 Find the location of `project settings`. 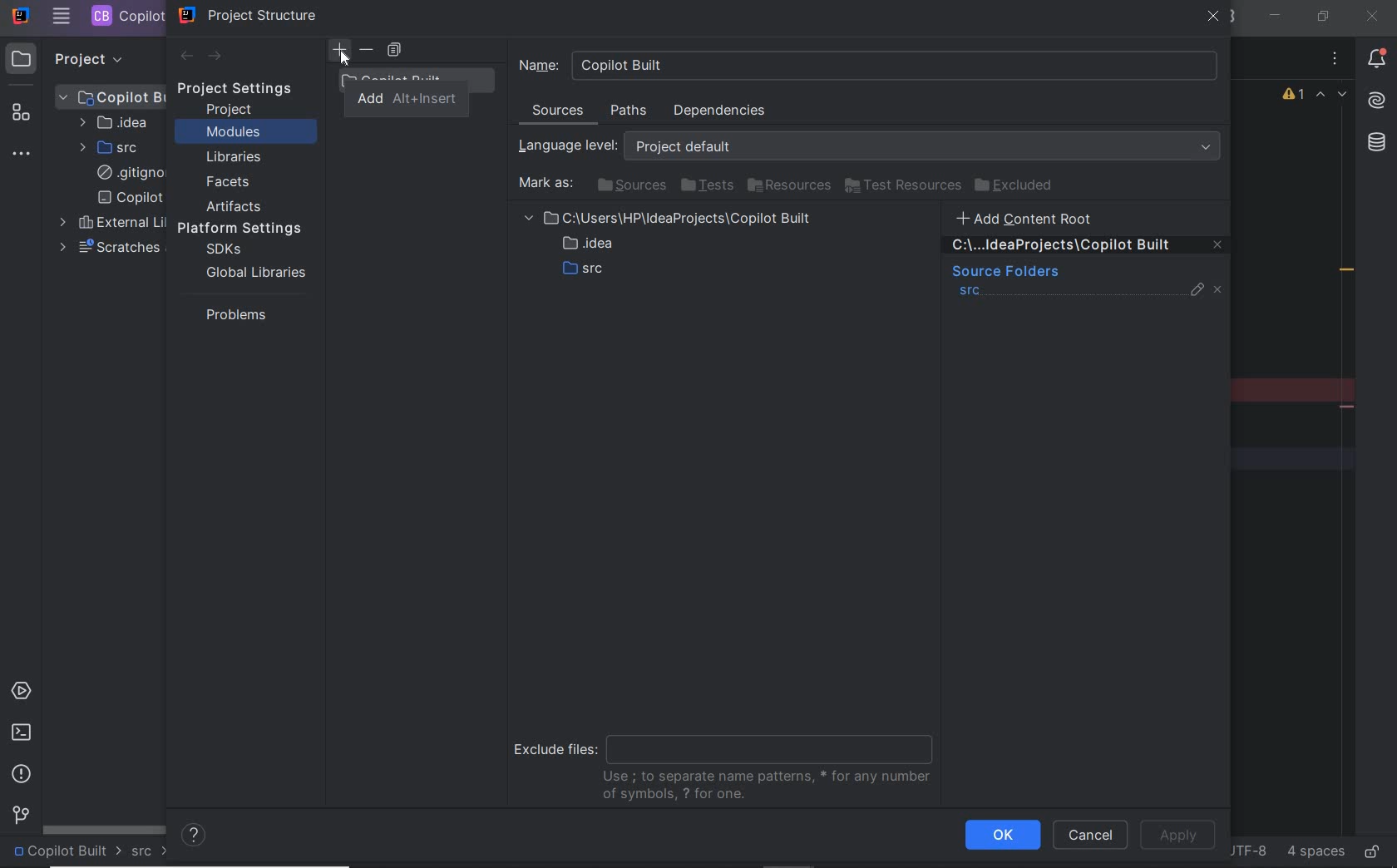

project settings is located at coordinates (246, 89).